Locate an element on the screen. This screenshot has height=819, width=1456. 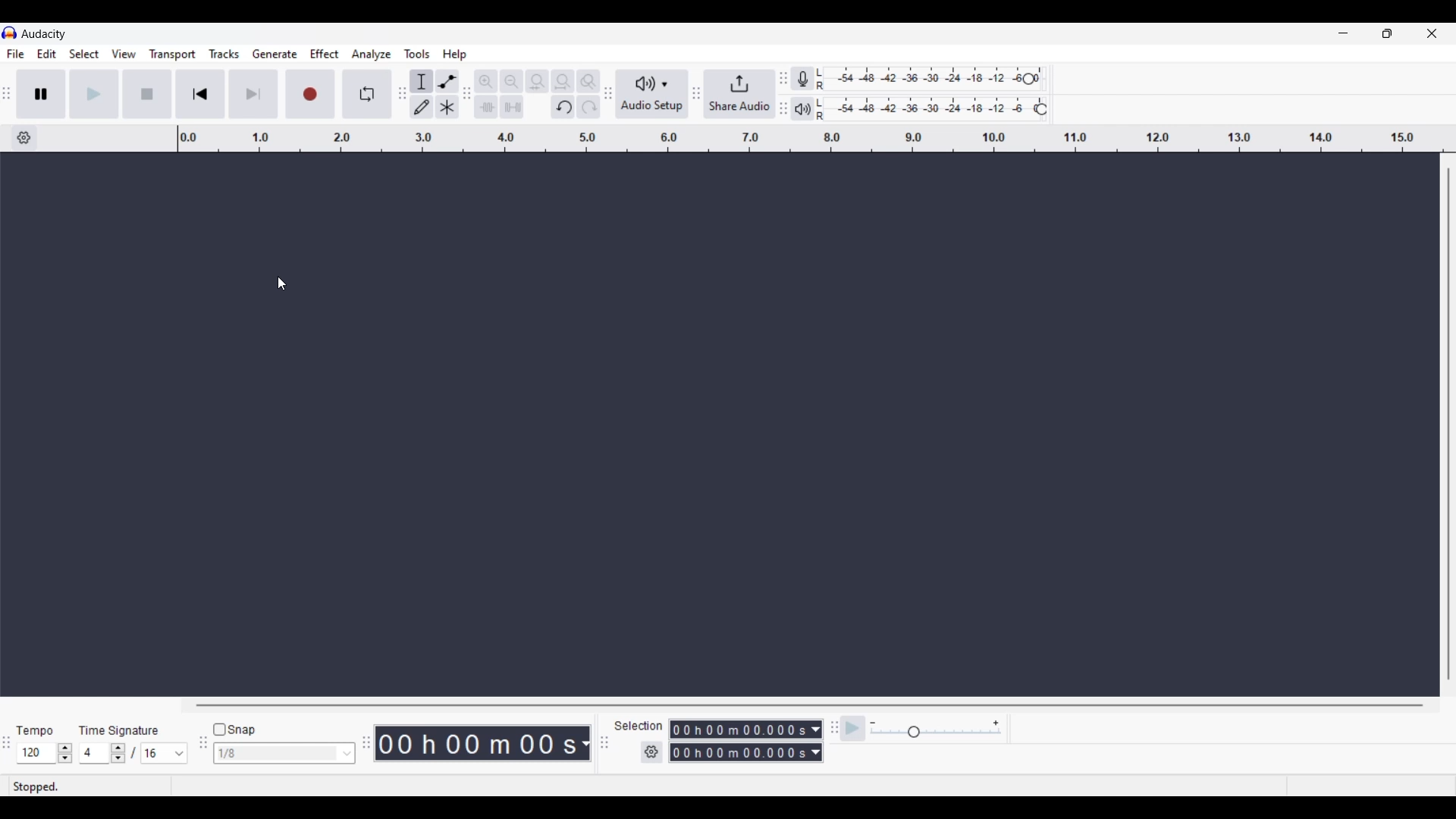
Recording duration is located at coordinates (737, 741).